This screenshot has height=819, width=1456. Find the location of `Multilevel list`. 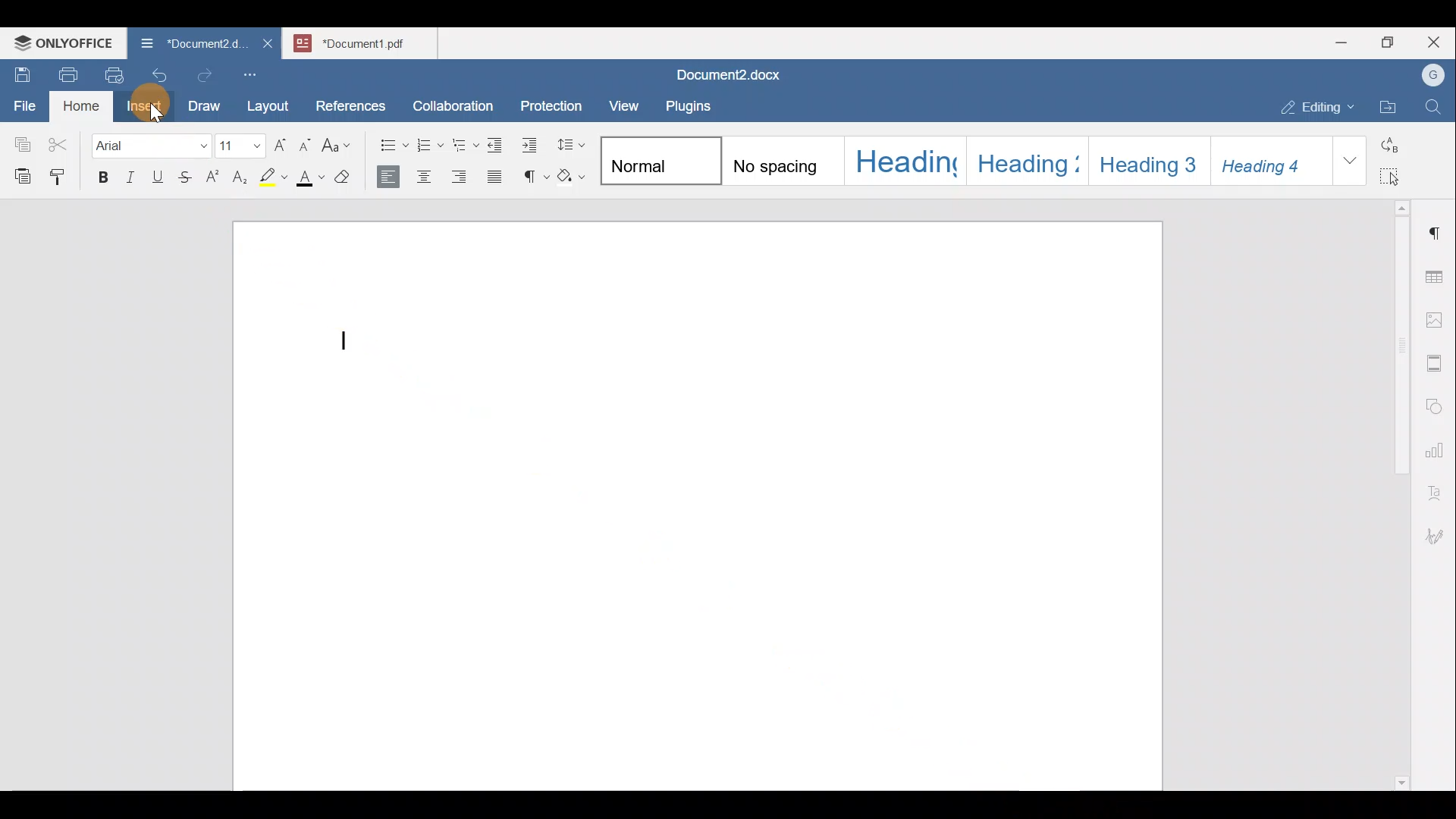

Multilevel list is located at coordinates (464, 145).